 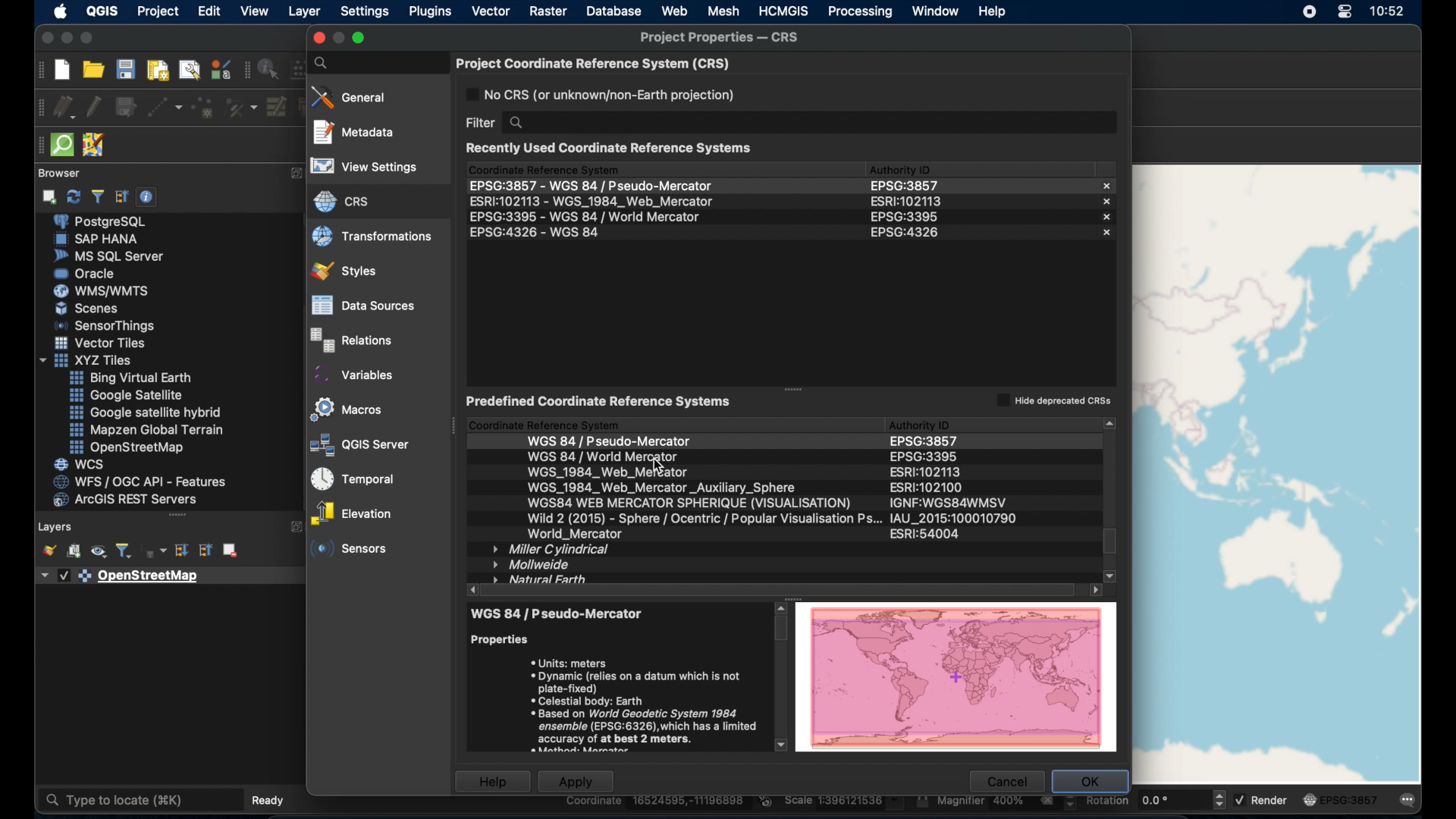 I want to click on postgre sql, so click(x=115, y=221).